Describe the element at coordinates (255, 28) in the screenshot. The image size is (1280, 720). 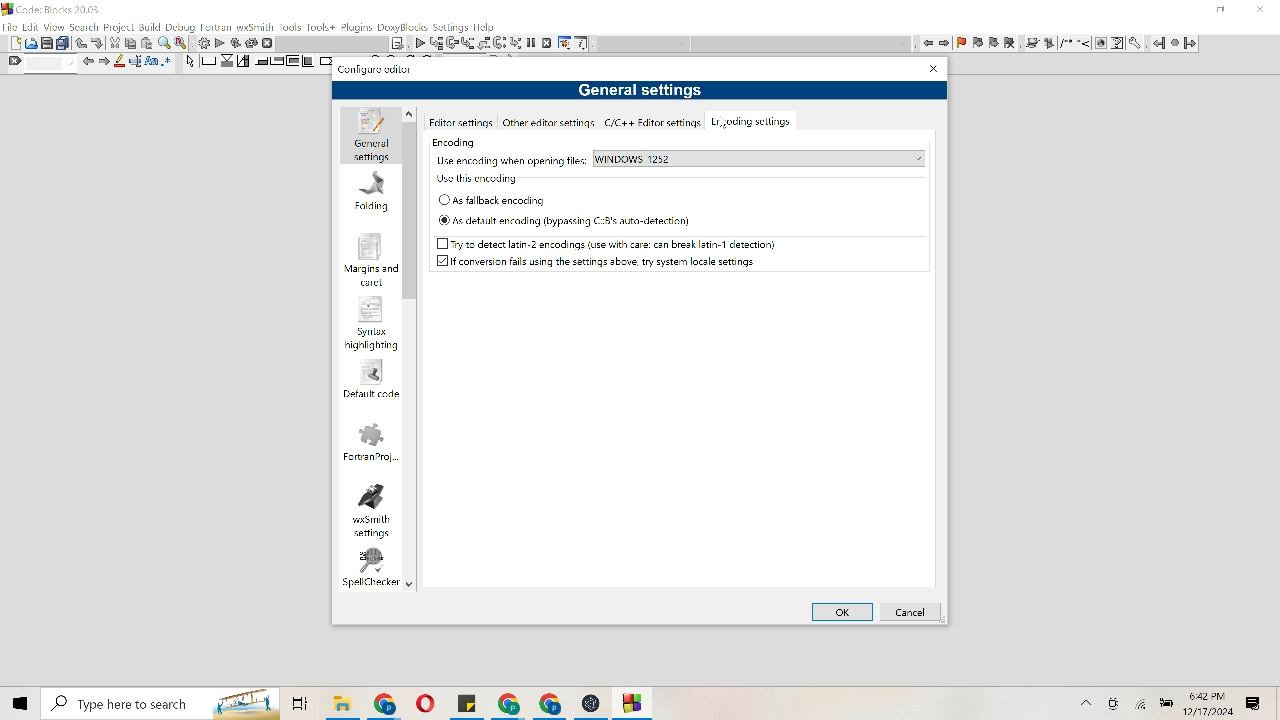
I see `wxsmith` at that location.